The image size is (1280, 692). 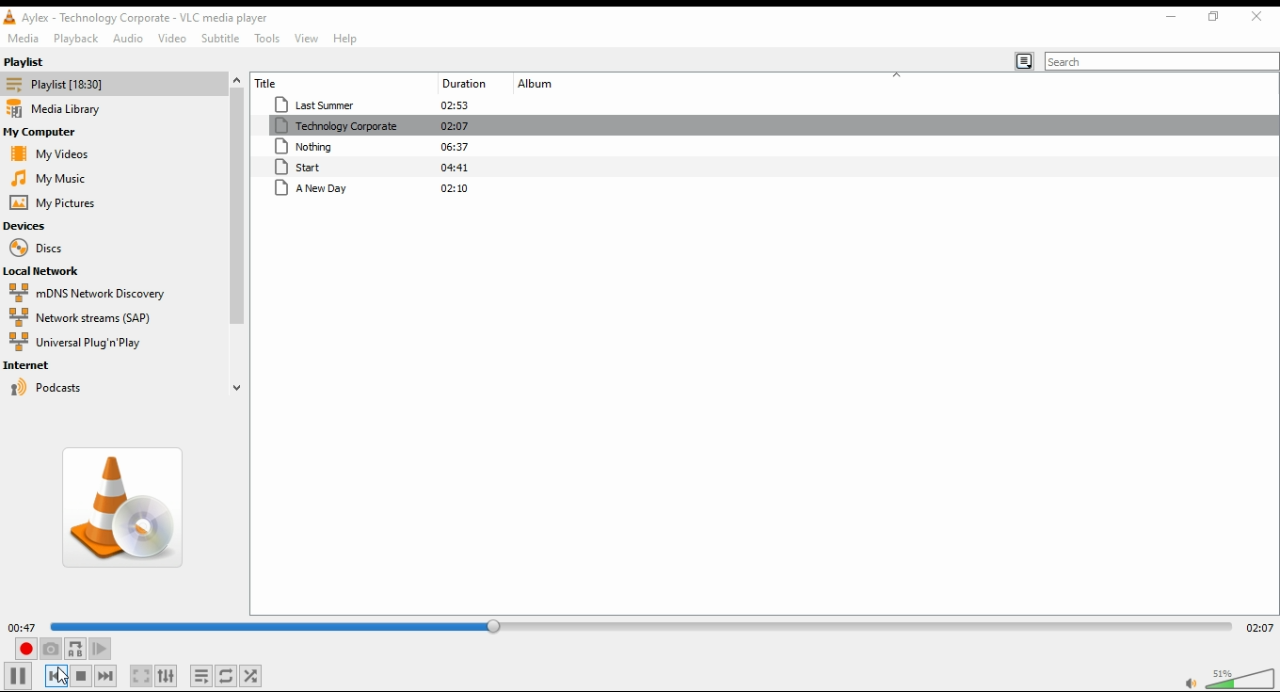 I want to click on podcasts, so click(x=92, y=389).